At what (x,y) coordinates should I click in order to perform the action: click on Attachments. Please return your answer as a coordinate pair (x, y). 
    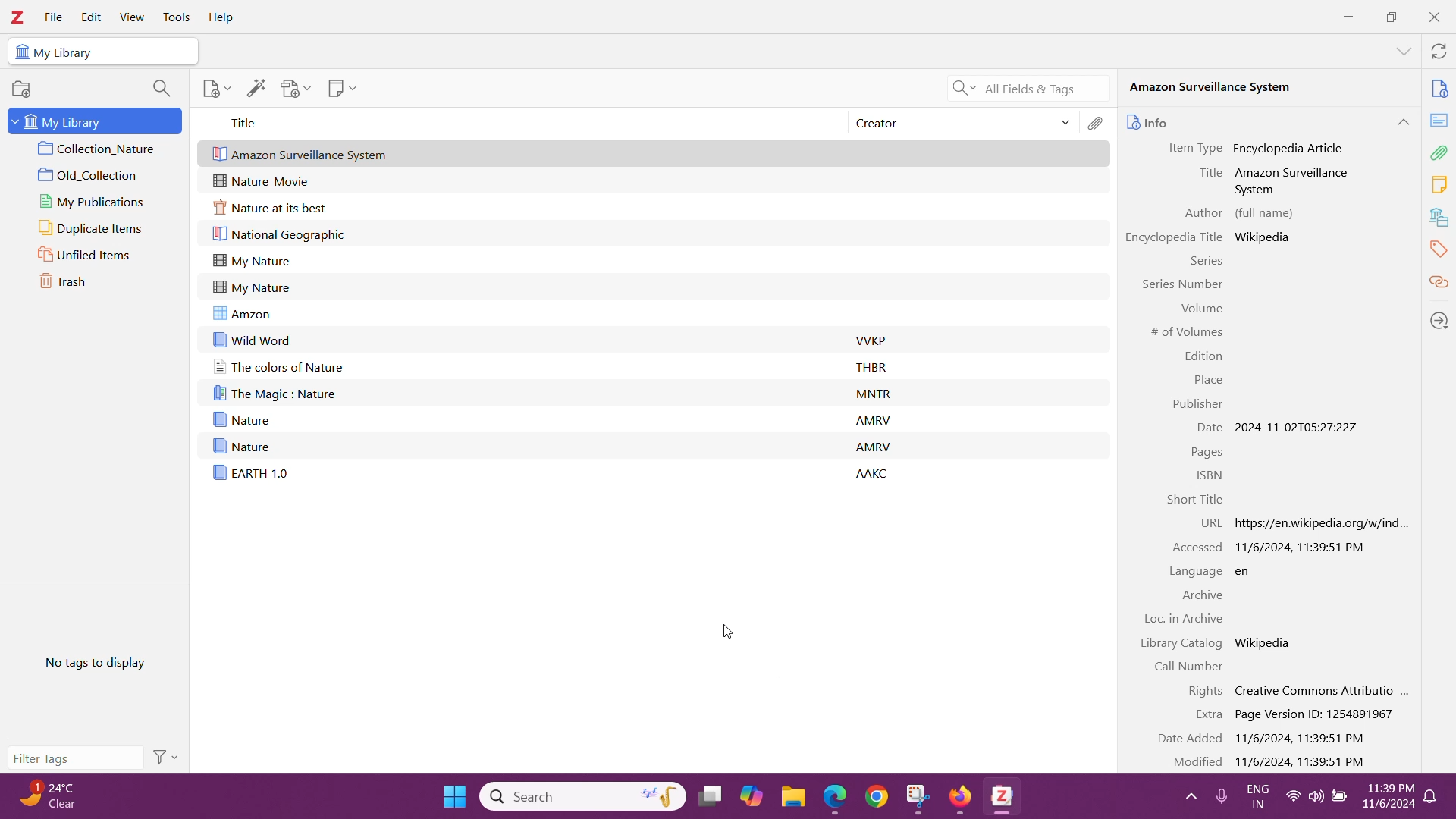
    Looking at the image, I should click on (1439, 152).